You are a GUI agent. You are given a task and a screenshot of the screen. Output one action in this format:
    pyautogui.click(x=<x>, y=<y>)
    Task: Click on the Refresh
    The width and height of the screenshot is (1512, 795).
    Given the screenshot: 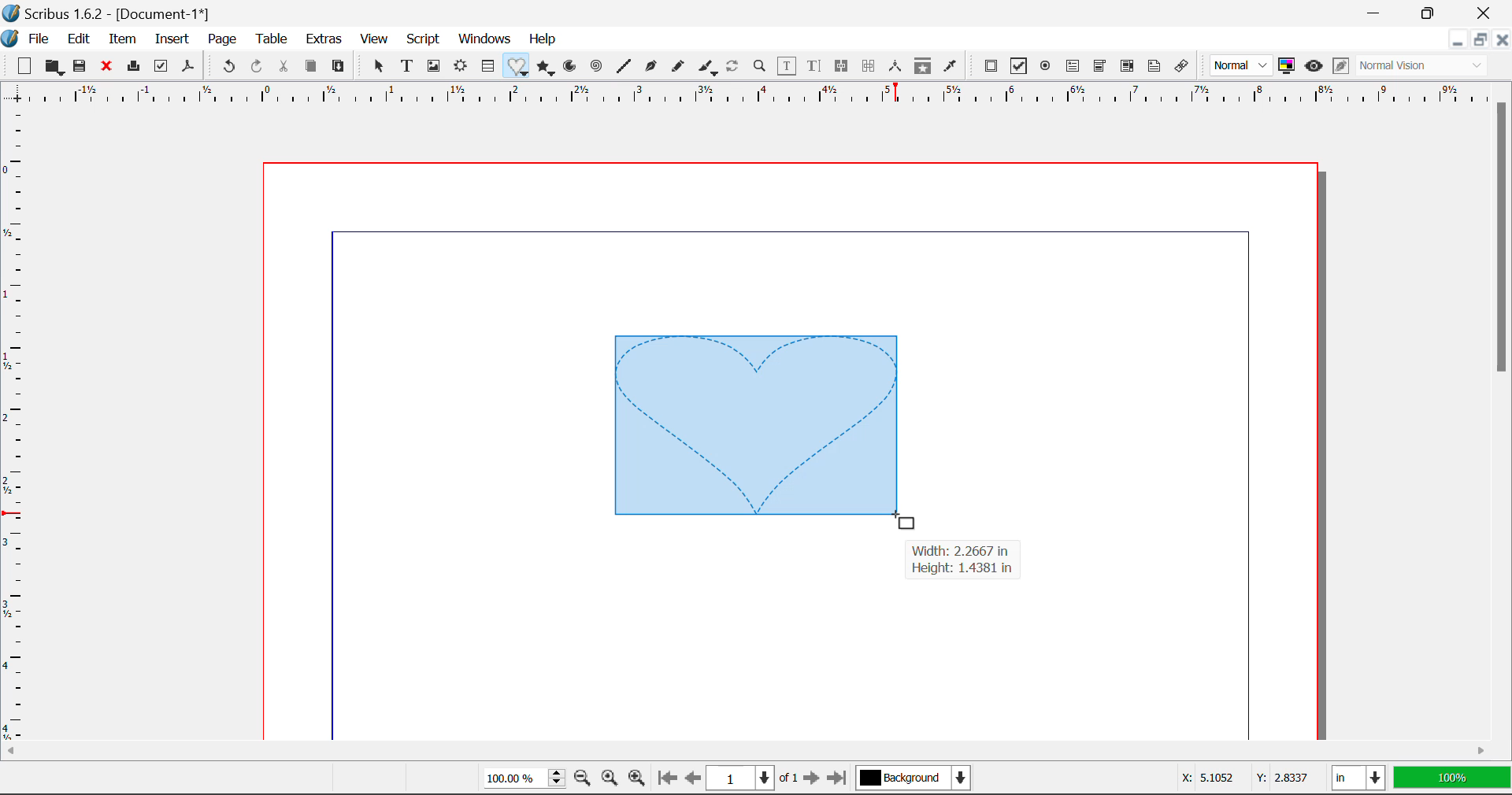 What is the action you would take?
    pyautogui.click(x=736, y=68)
    